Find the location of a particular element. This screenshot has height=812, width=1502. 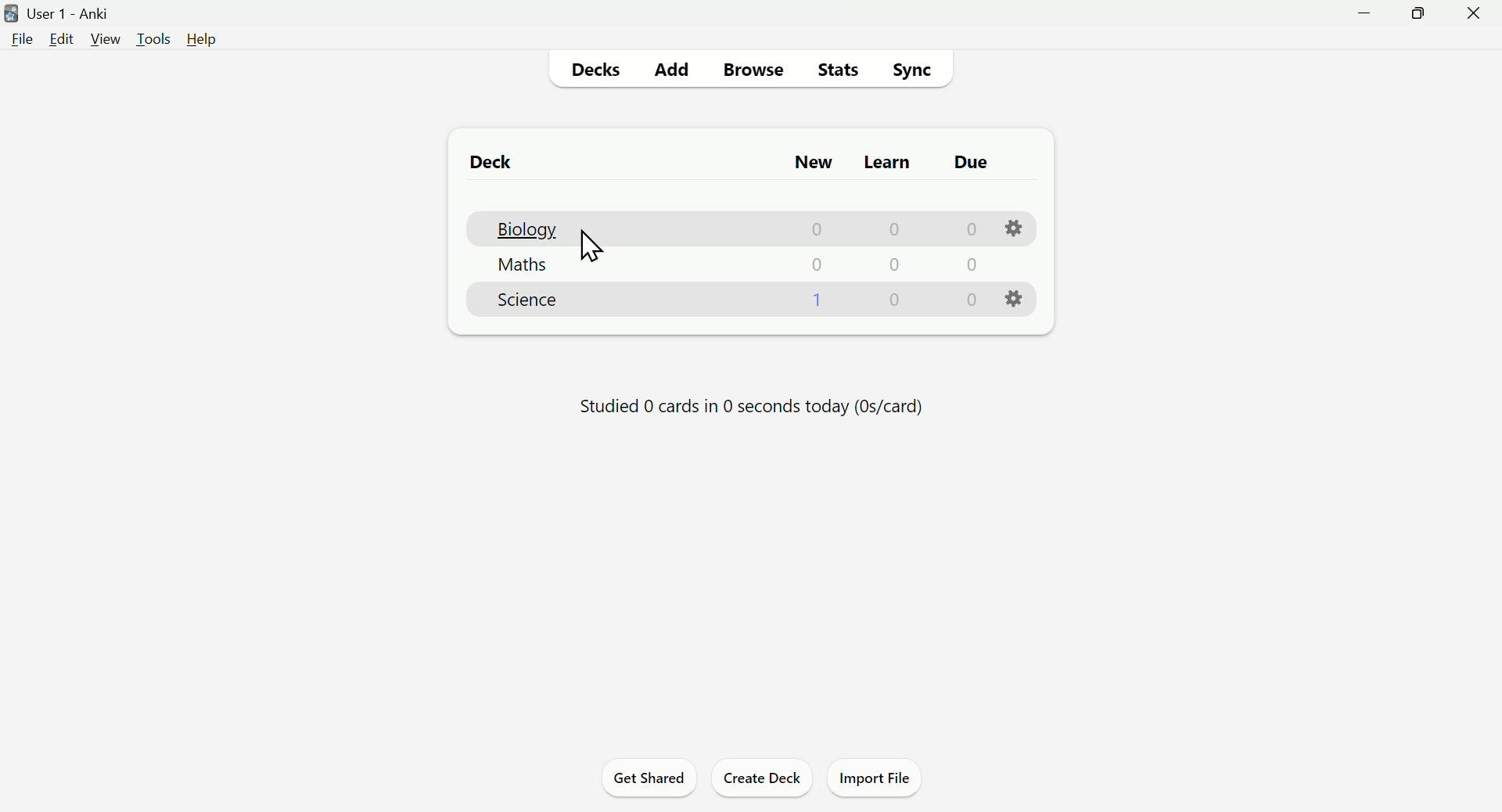

0 is located at coordinates (972, 300).